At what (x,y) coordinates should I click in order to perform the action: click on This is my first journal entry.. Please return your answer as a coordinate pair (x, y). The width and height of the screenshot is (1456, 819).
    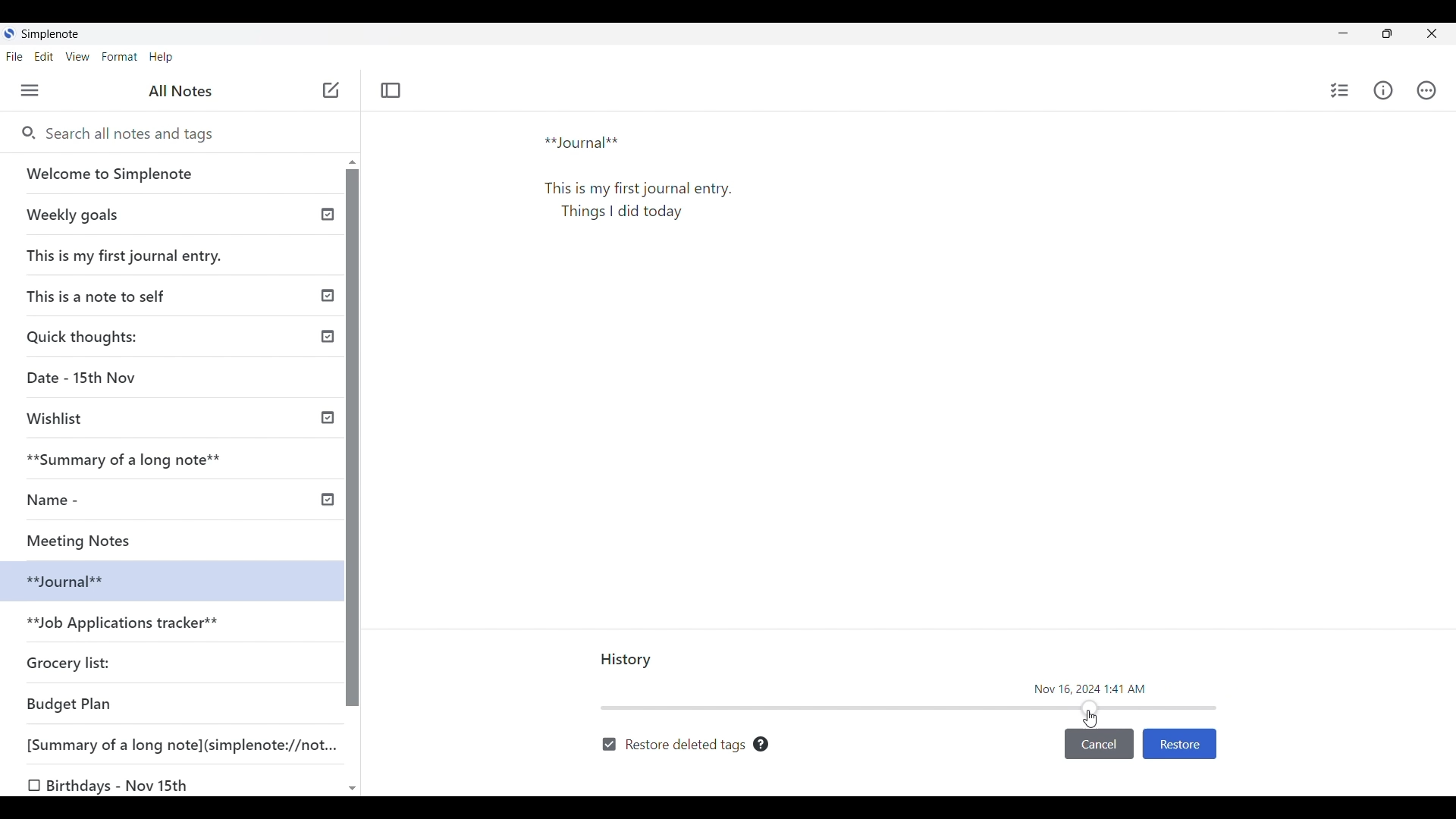
    Looking at the image, I should click on (126, 255).